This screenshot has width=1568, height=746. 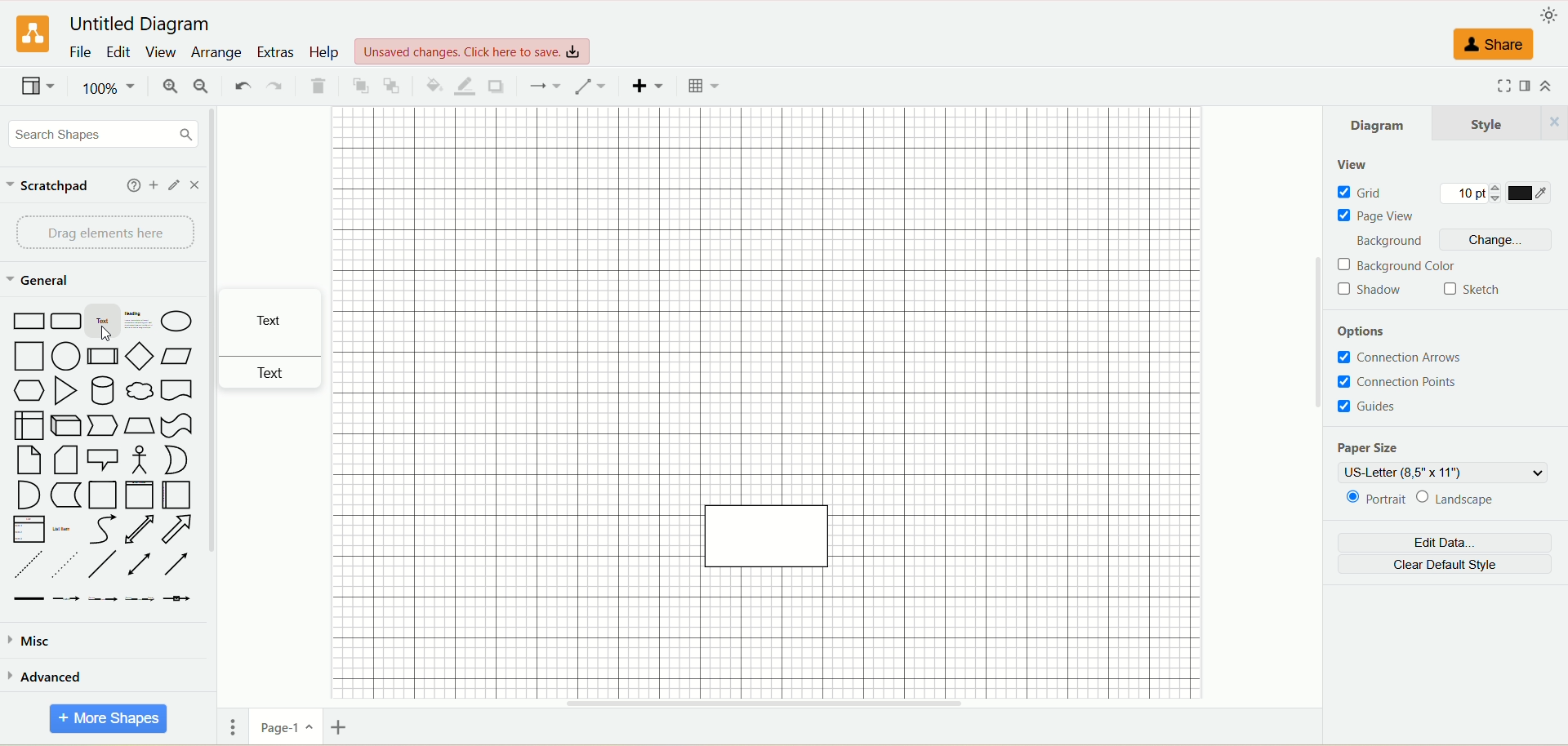 I want to click on delete, so click(x=320, y=84).